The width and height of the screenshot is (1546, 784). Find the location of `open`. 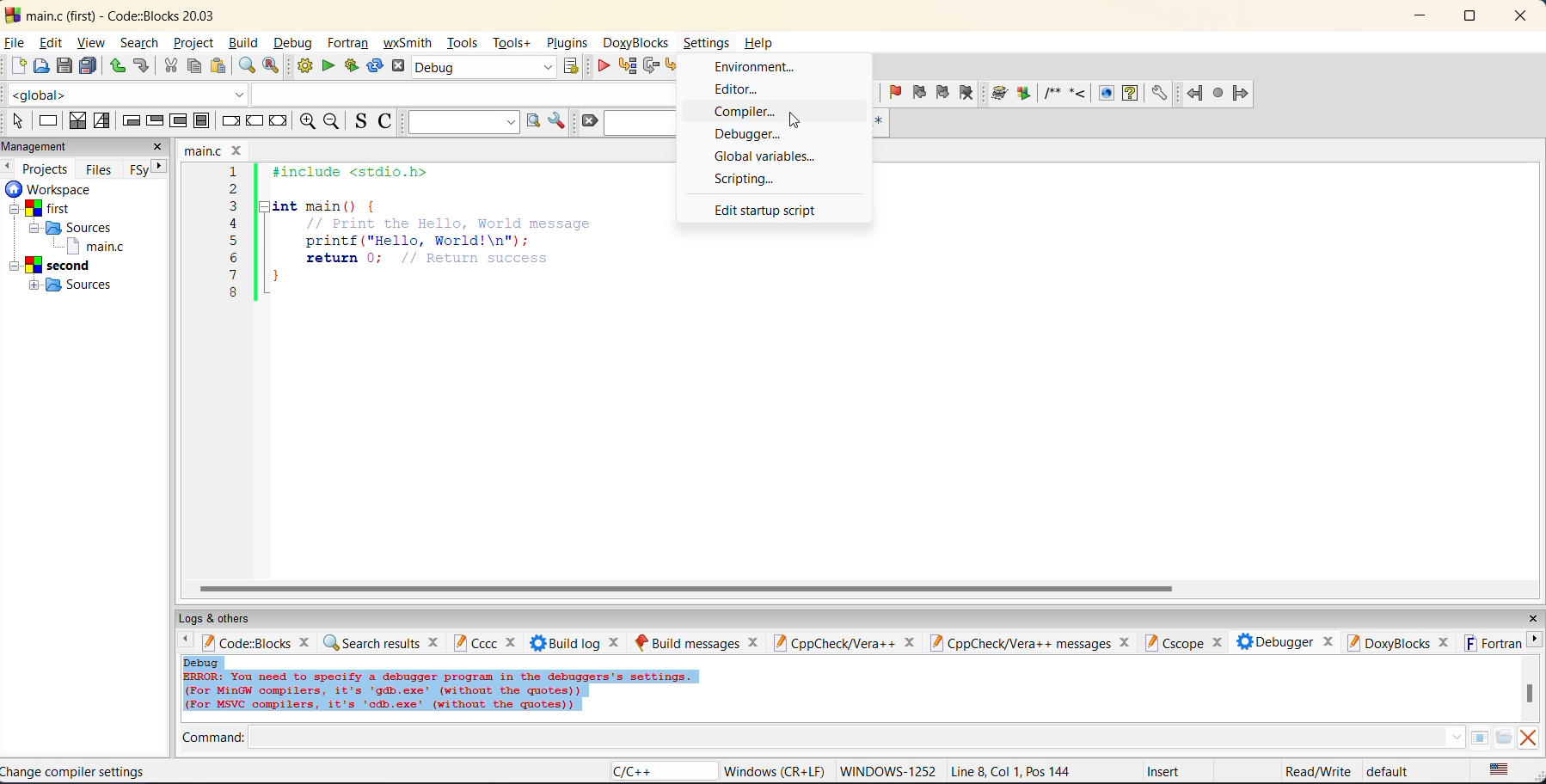

open is located at coordinates (43, 67).